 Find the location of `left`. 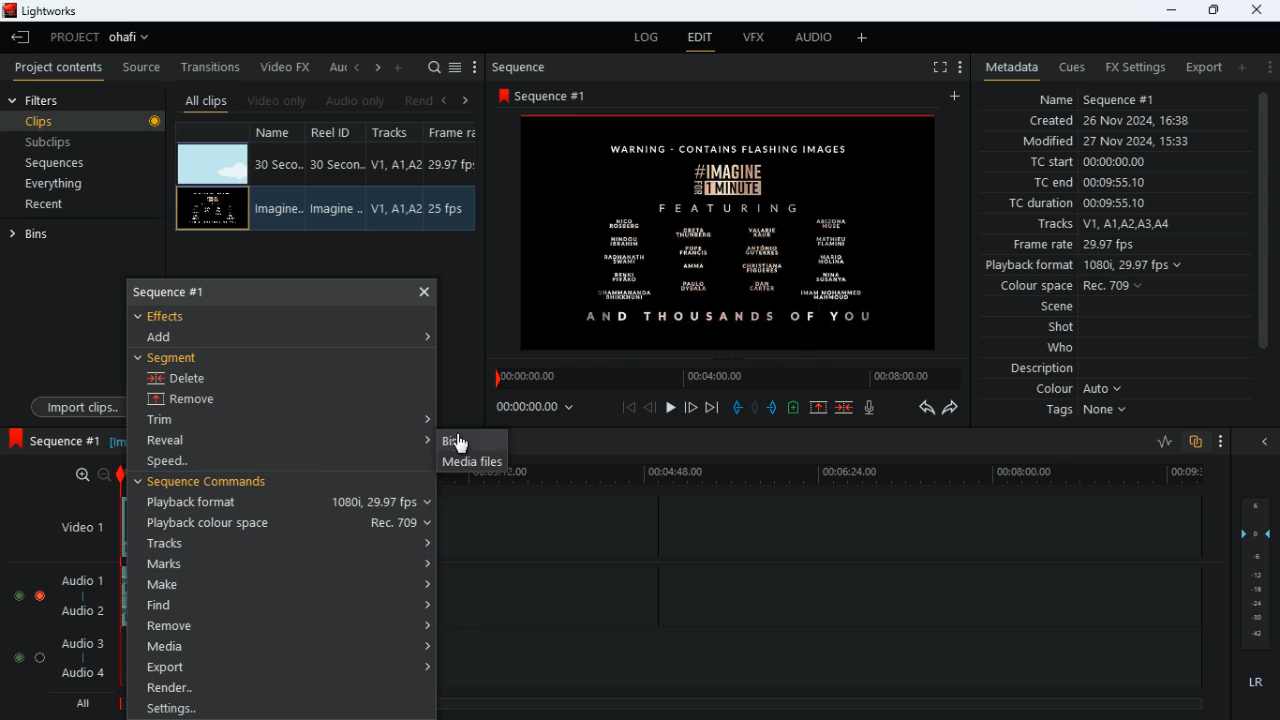

left is located at coordinates (450, 99).